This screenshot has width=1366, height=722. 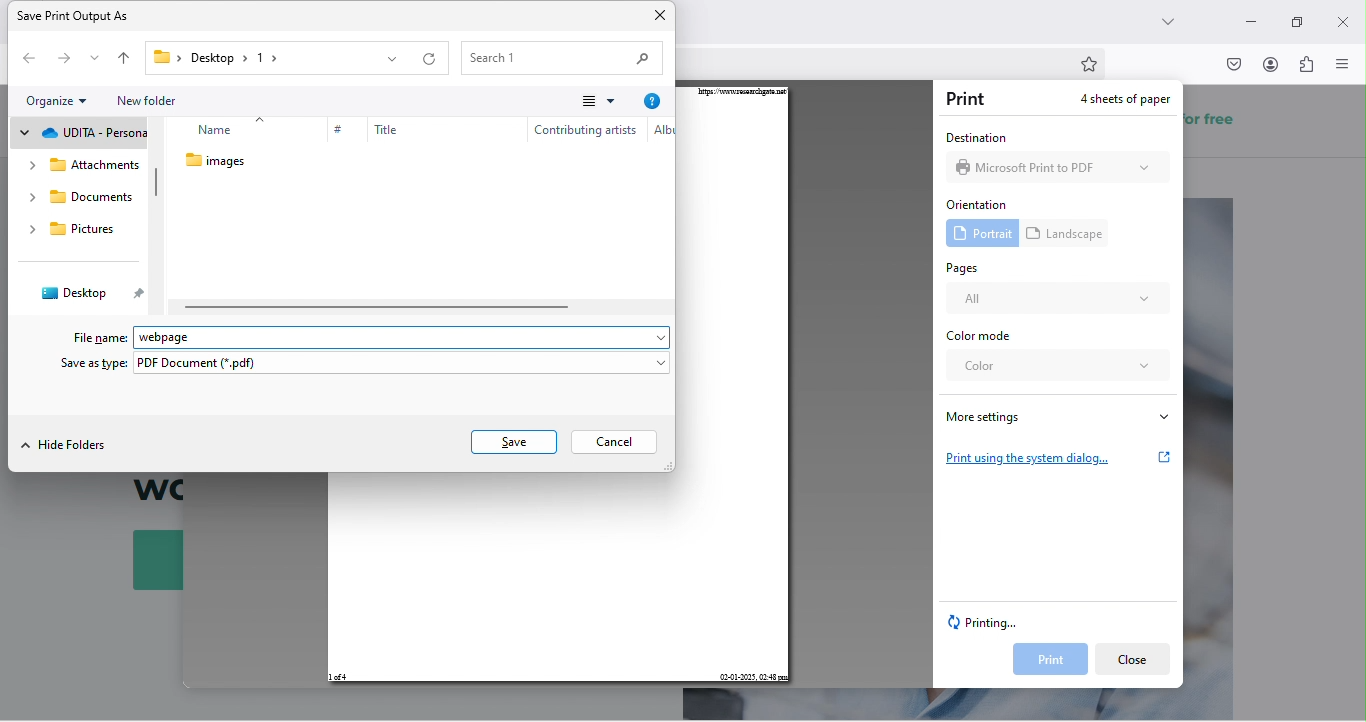 I want to click on cancel, so click(x=619, y=441).